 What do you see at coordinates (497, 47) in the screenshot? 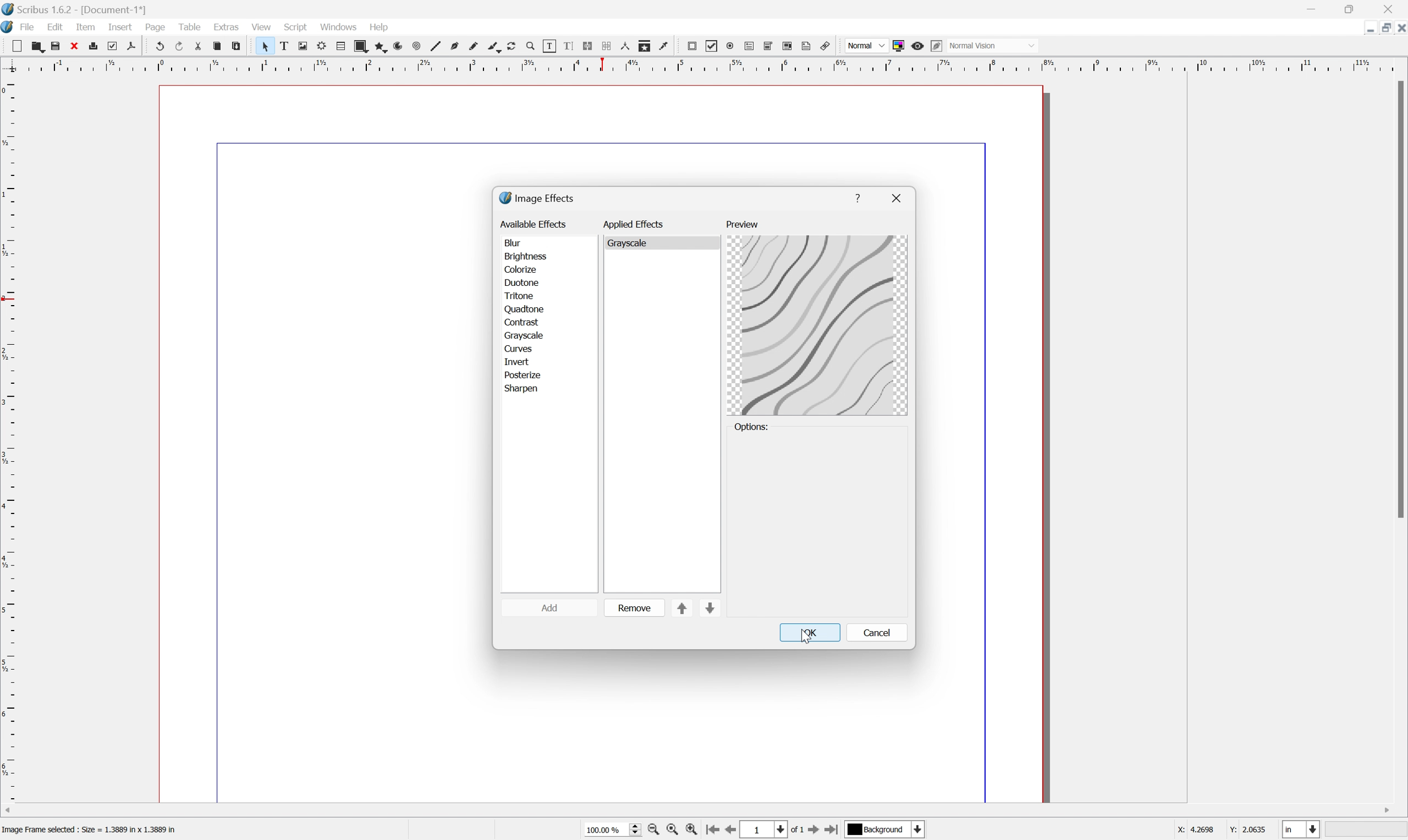
I see `Calligraphic line` at bounding box center [497, 47].